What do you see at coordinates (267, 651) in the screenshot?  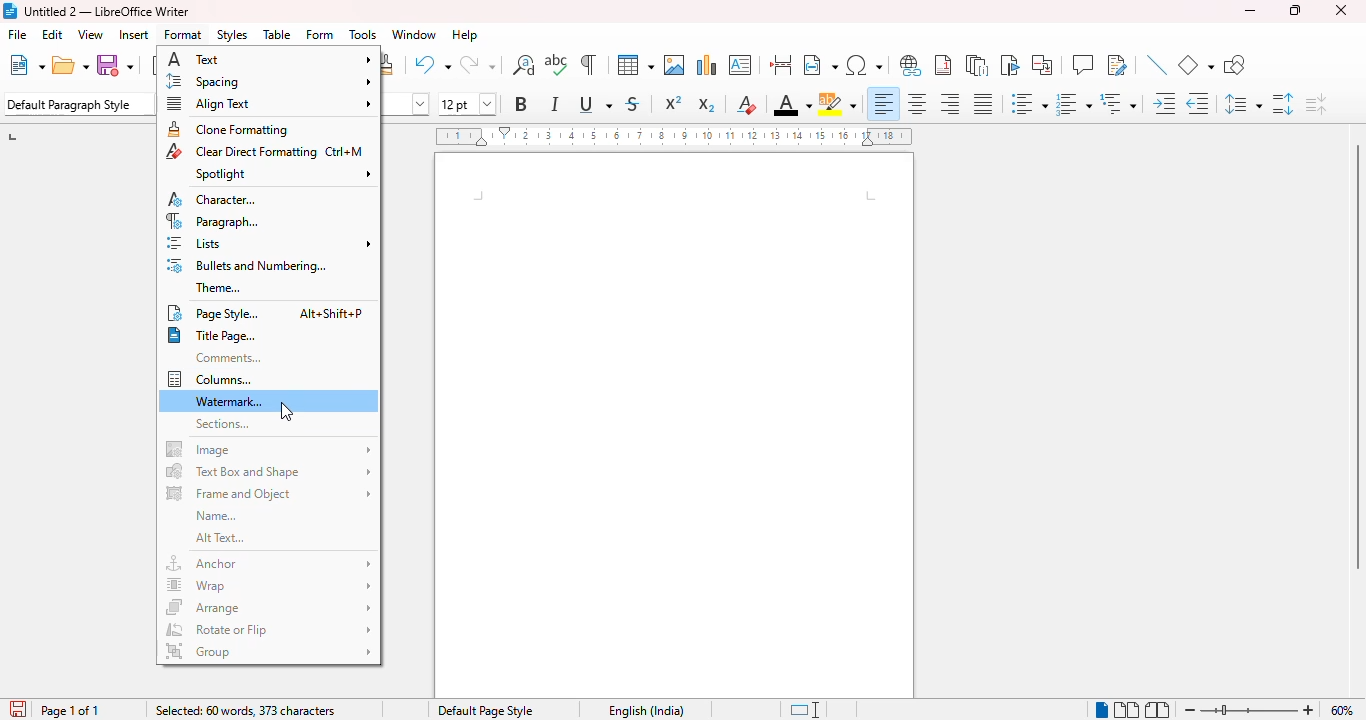 I see `group` at bounding box center [267, 651].